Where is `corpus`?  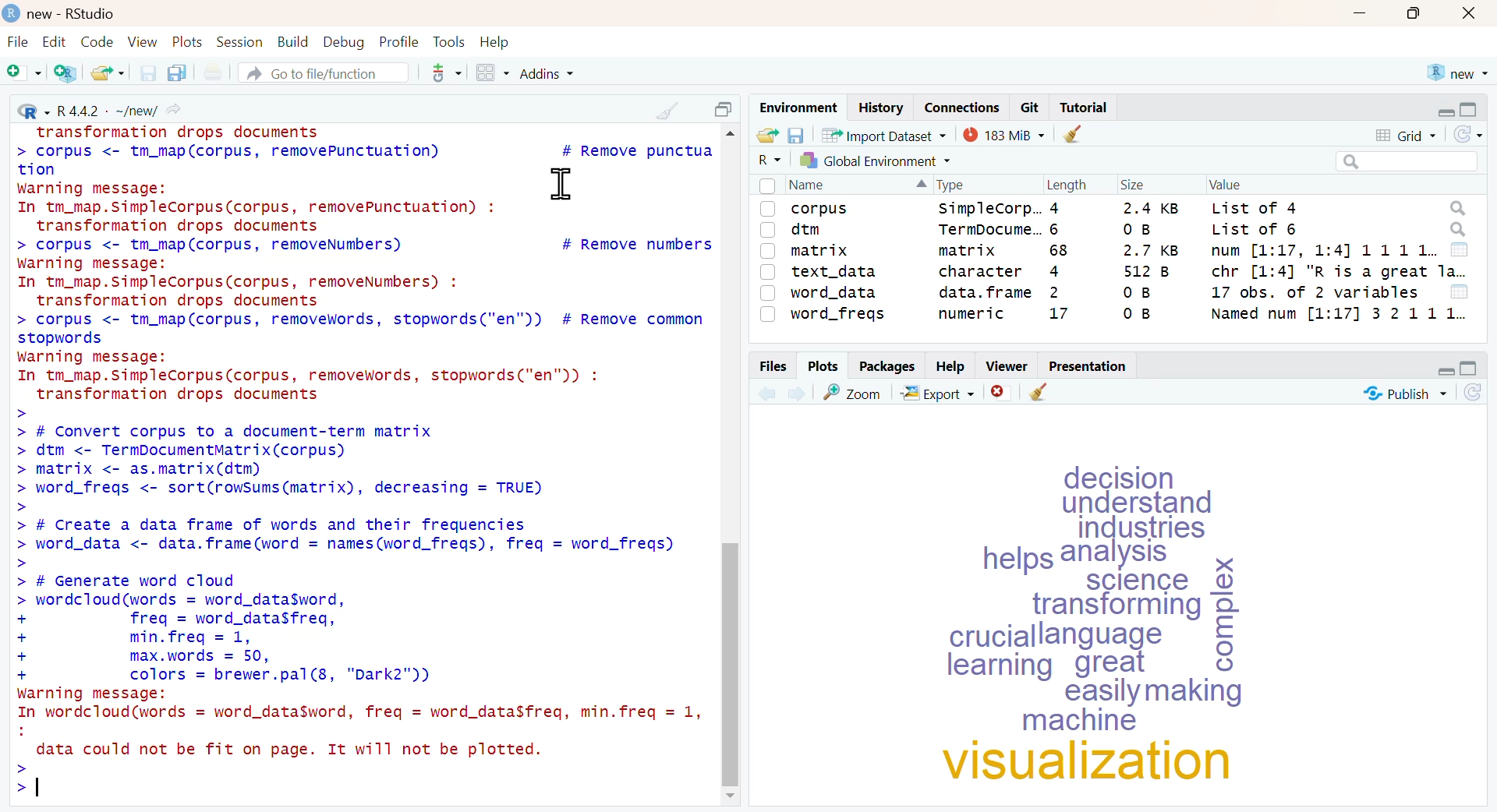 corpus is located at coordinates (820, 210).